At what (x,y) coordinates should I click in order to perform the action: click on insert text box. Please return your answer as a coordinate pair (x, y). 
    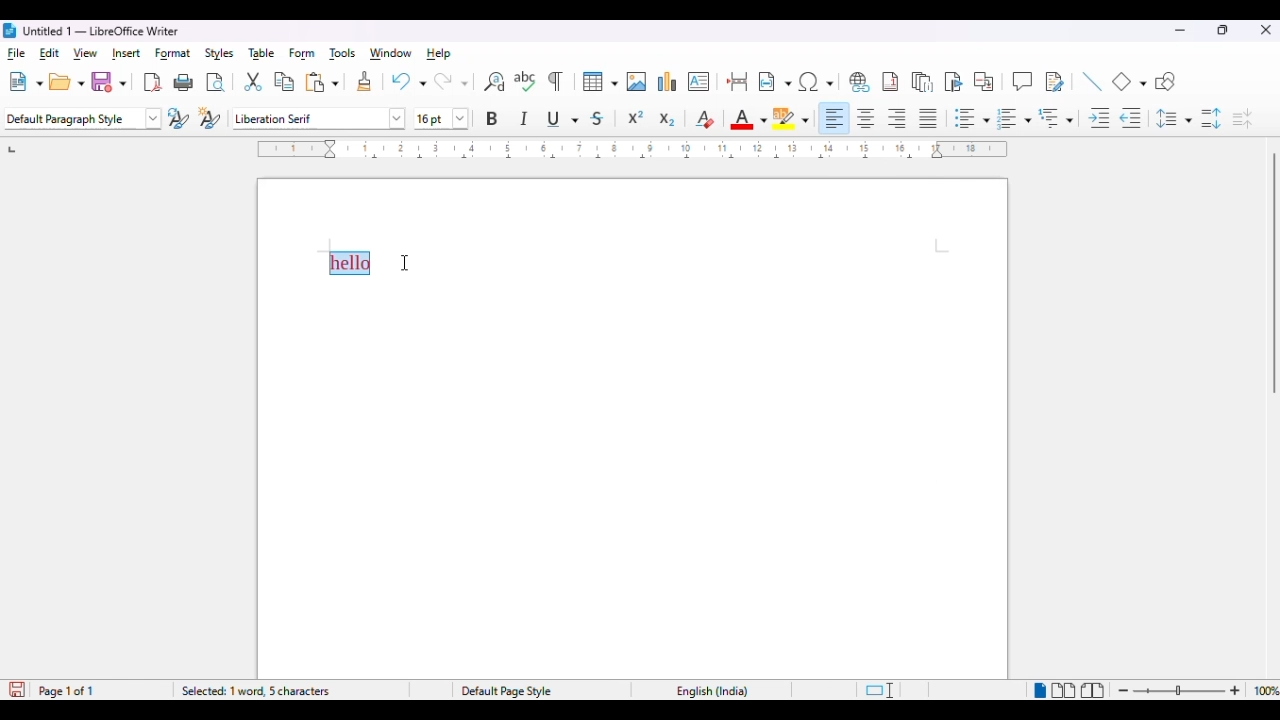
    Looking at the image, I should click on (698, 81).